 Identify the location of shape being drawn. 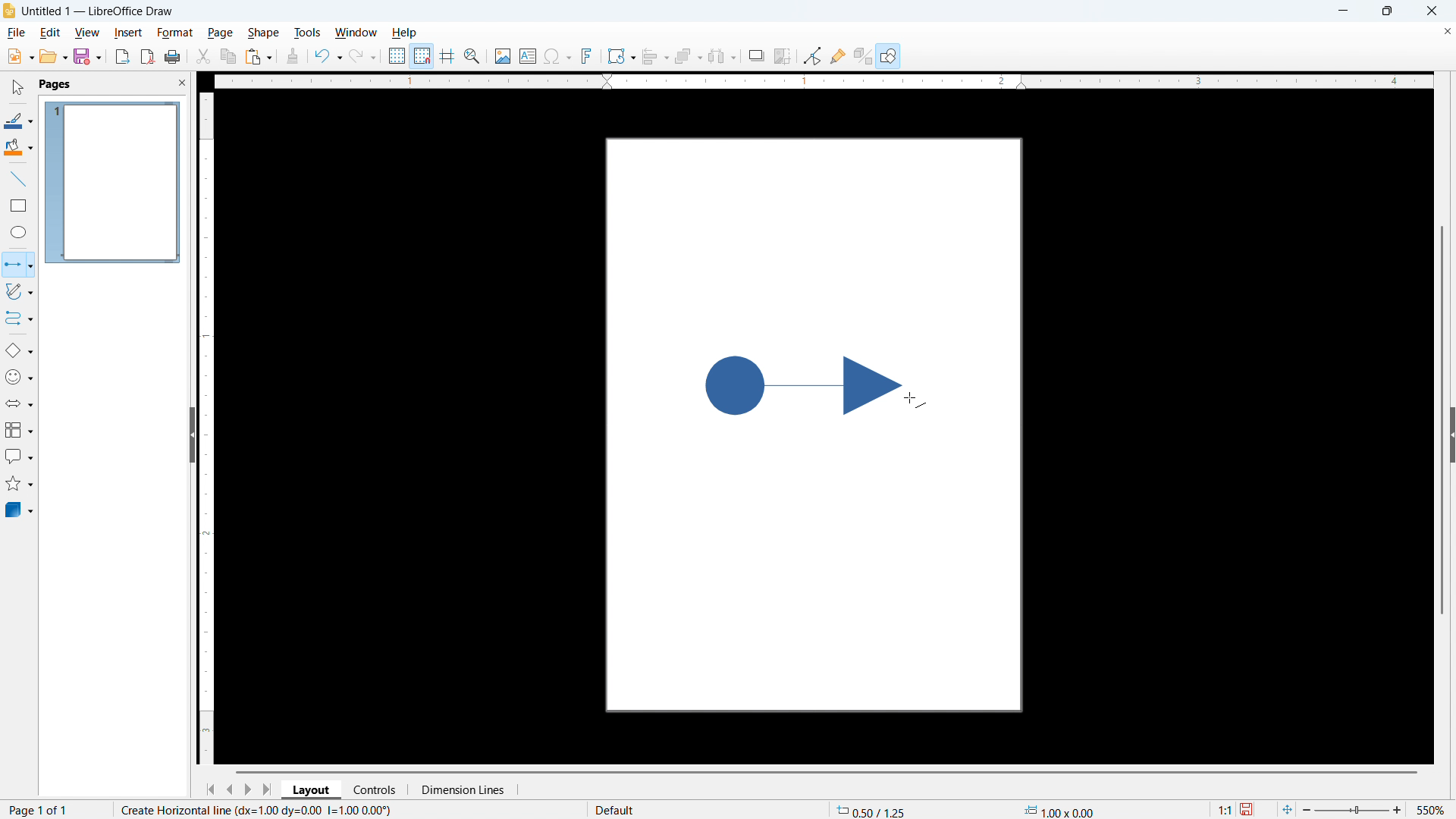
(803, 385).